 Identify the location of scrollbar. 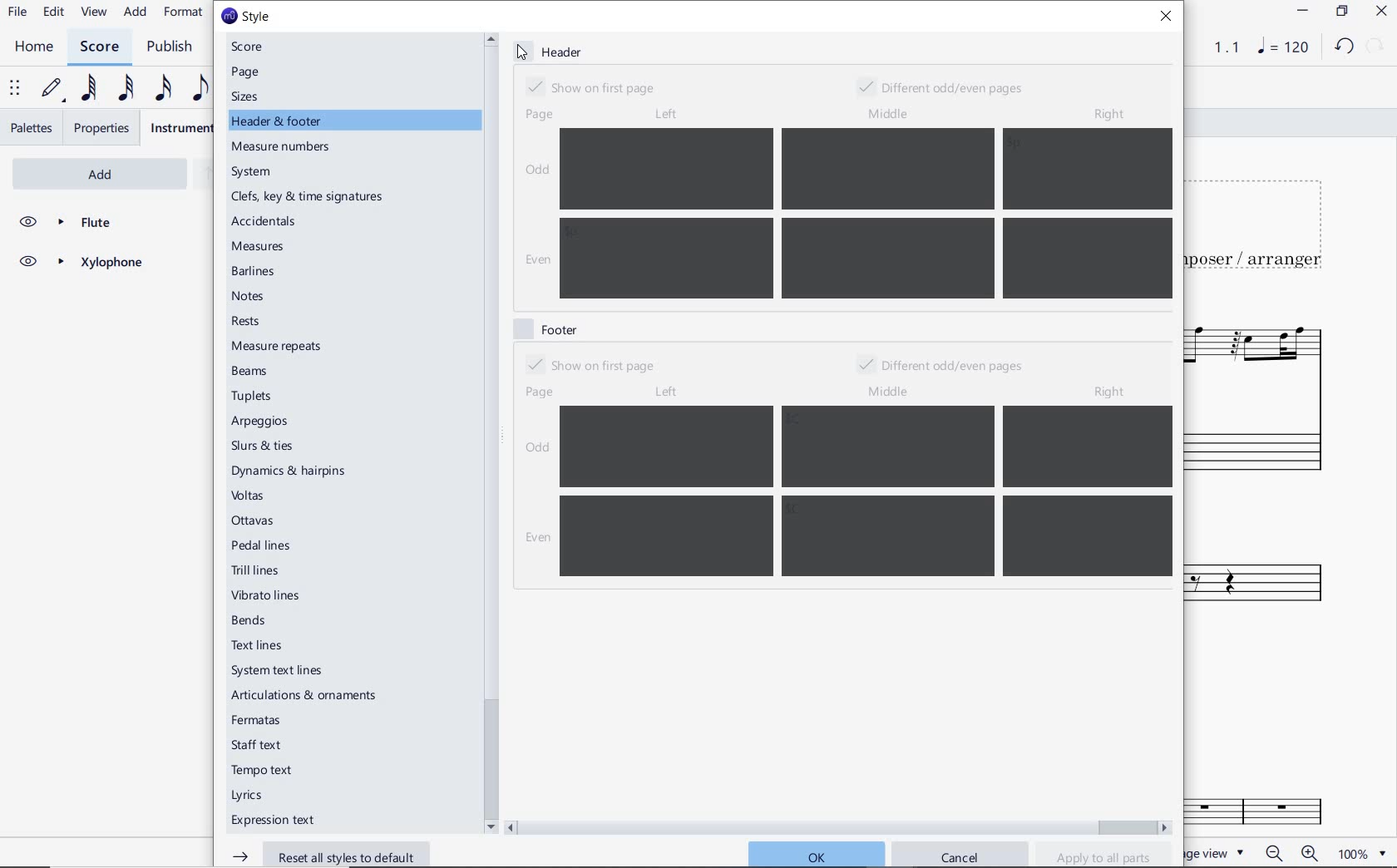
(489, 432).